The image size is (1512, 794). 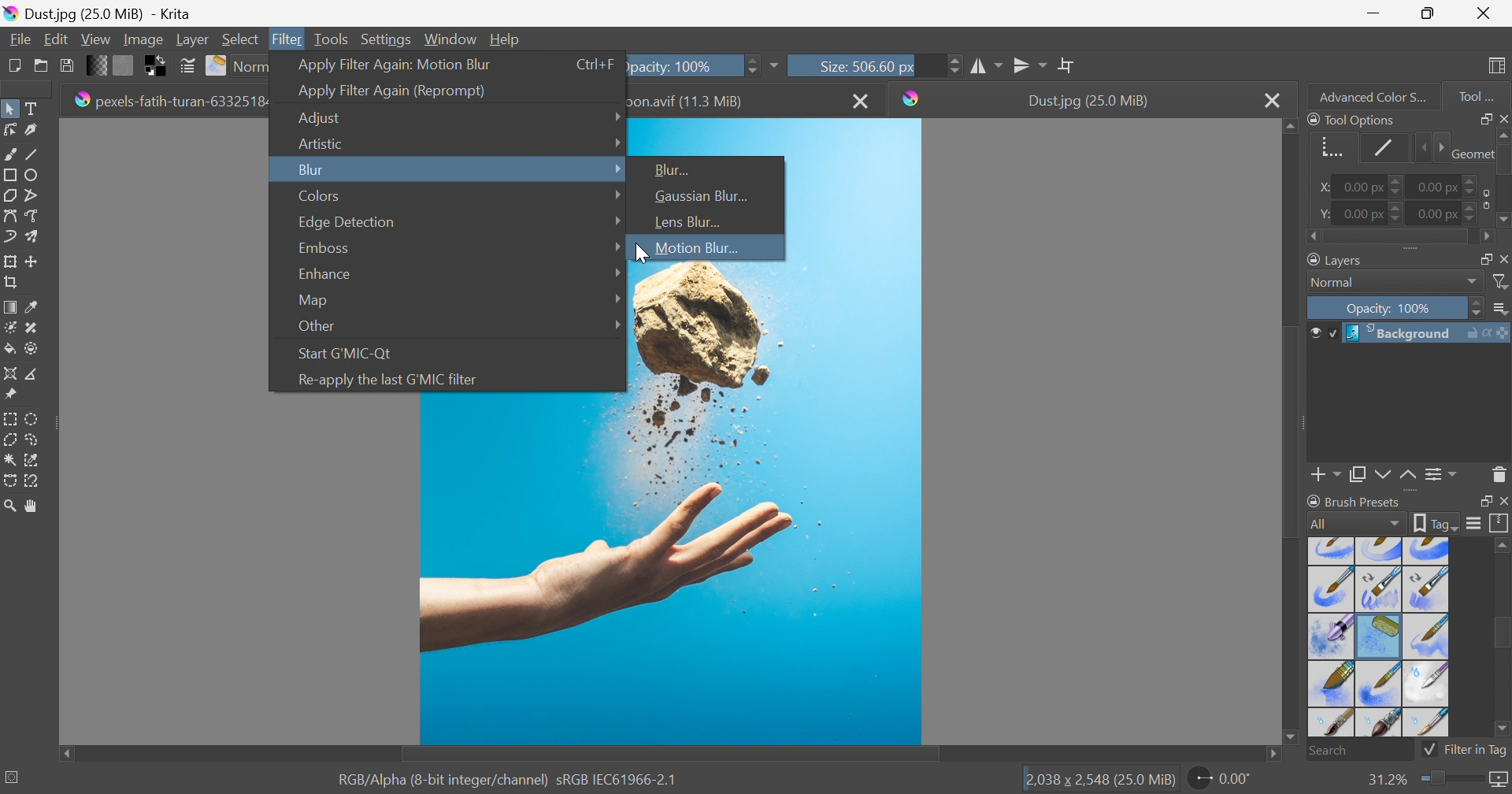 What do you see at coordinates (31, 350) in the screenshot?
I see `Endorse and fill tool` at bounding box center [31, 350].